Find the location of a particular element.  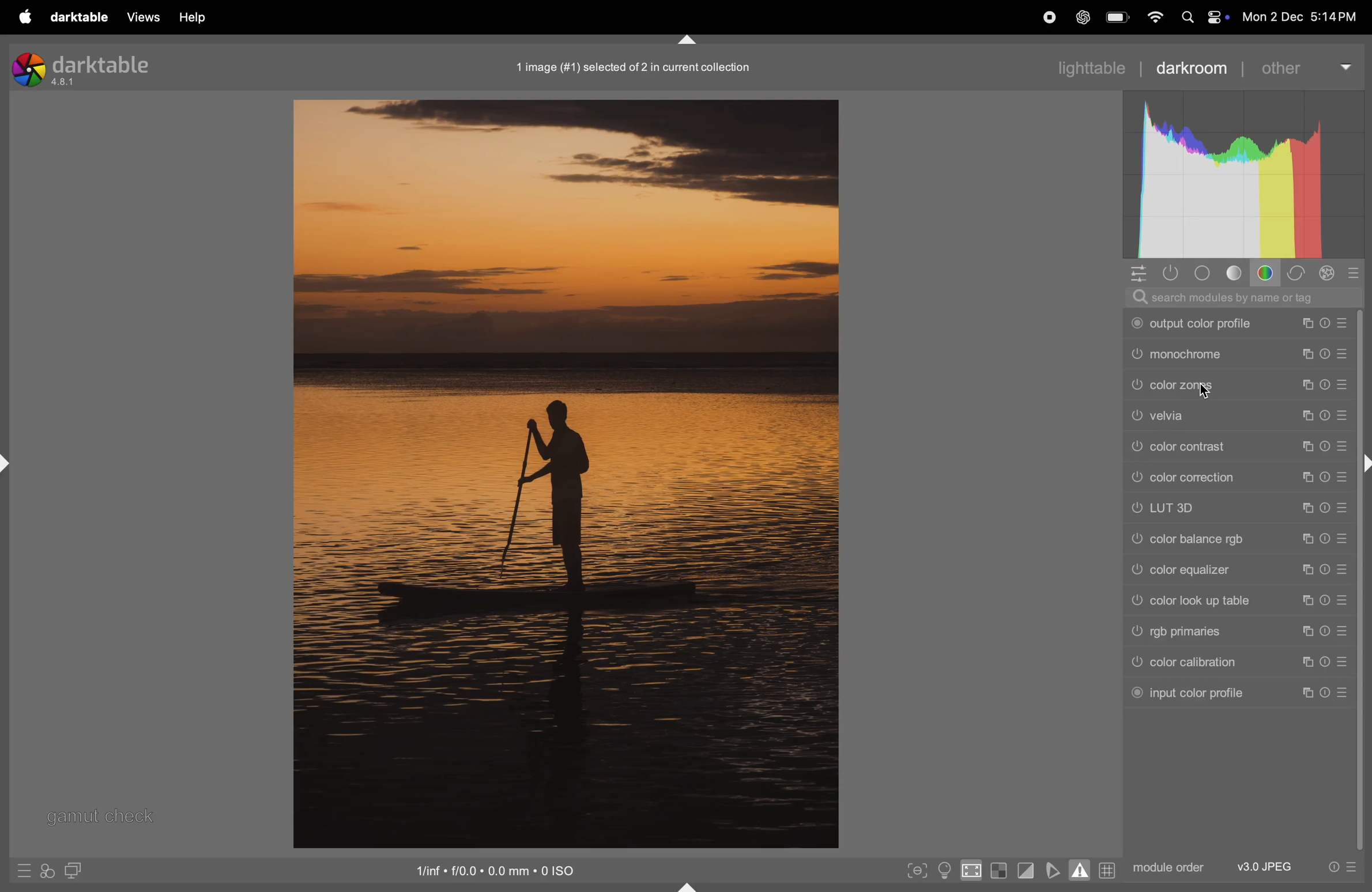

Copy is located at coordinates (1305, 508).